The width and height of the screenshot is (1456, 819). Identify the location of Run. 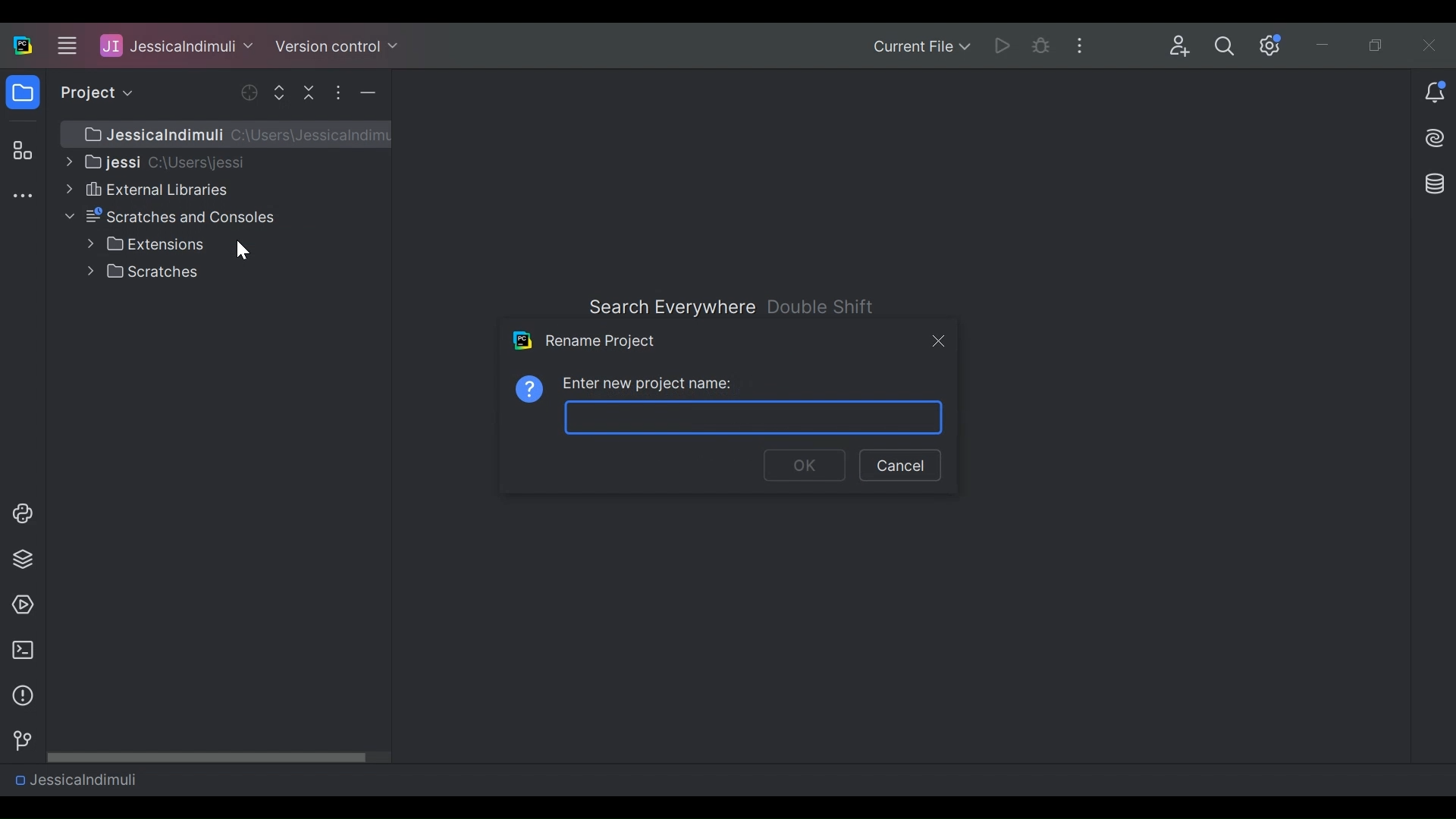
(1005, 45).